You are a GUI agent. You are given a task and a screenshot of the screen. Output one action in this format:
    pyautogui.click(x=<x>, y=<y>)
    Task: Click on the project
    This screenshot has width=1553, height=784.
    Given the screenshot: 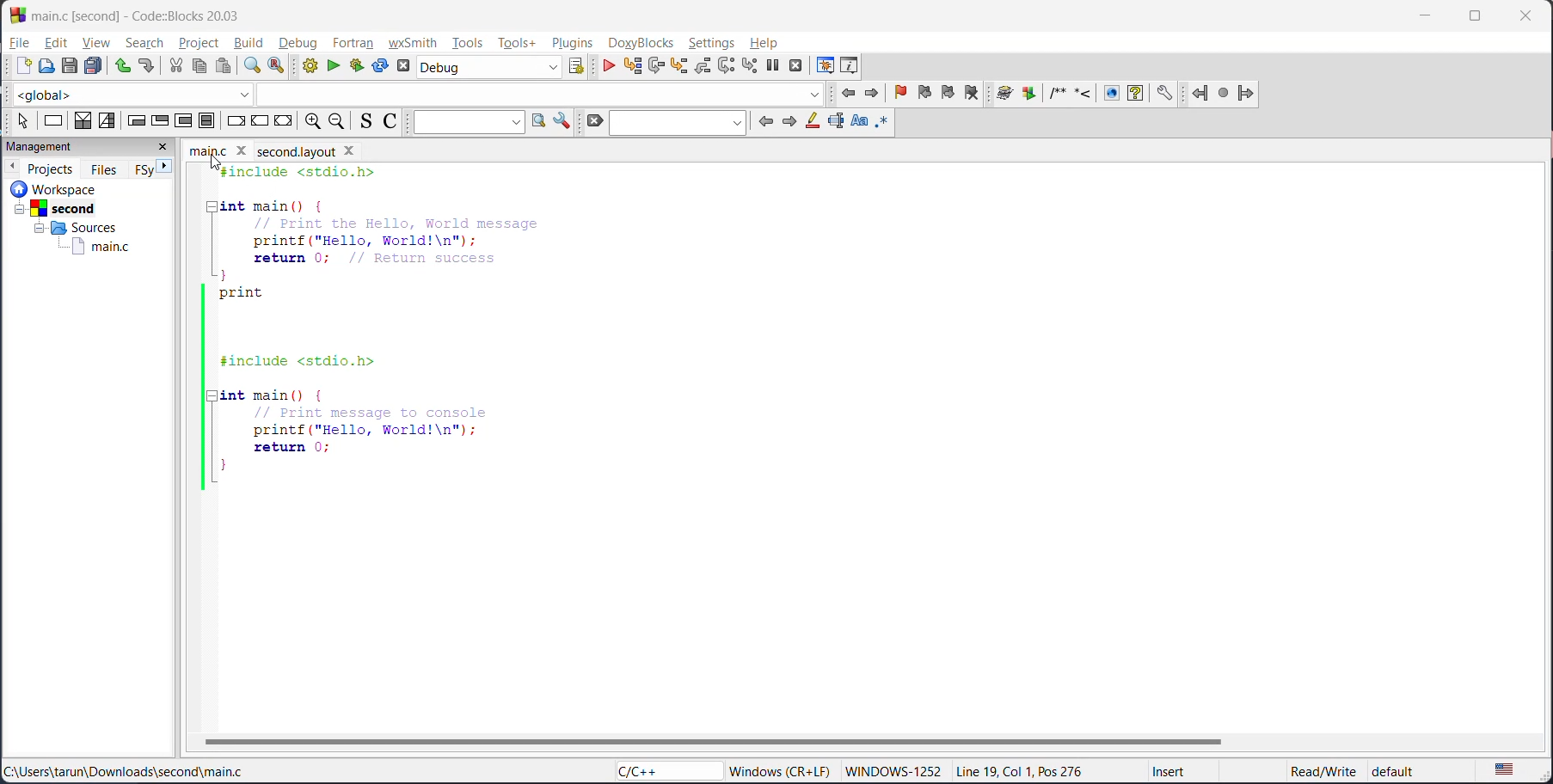 What is the action you would take?
    pyautogui.click(x=203, y=45)
    